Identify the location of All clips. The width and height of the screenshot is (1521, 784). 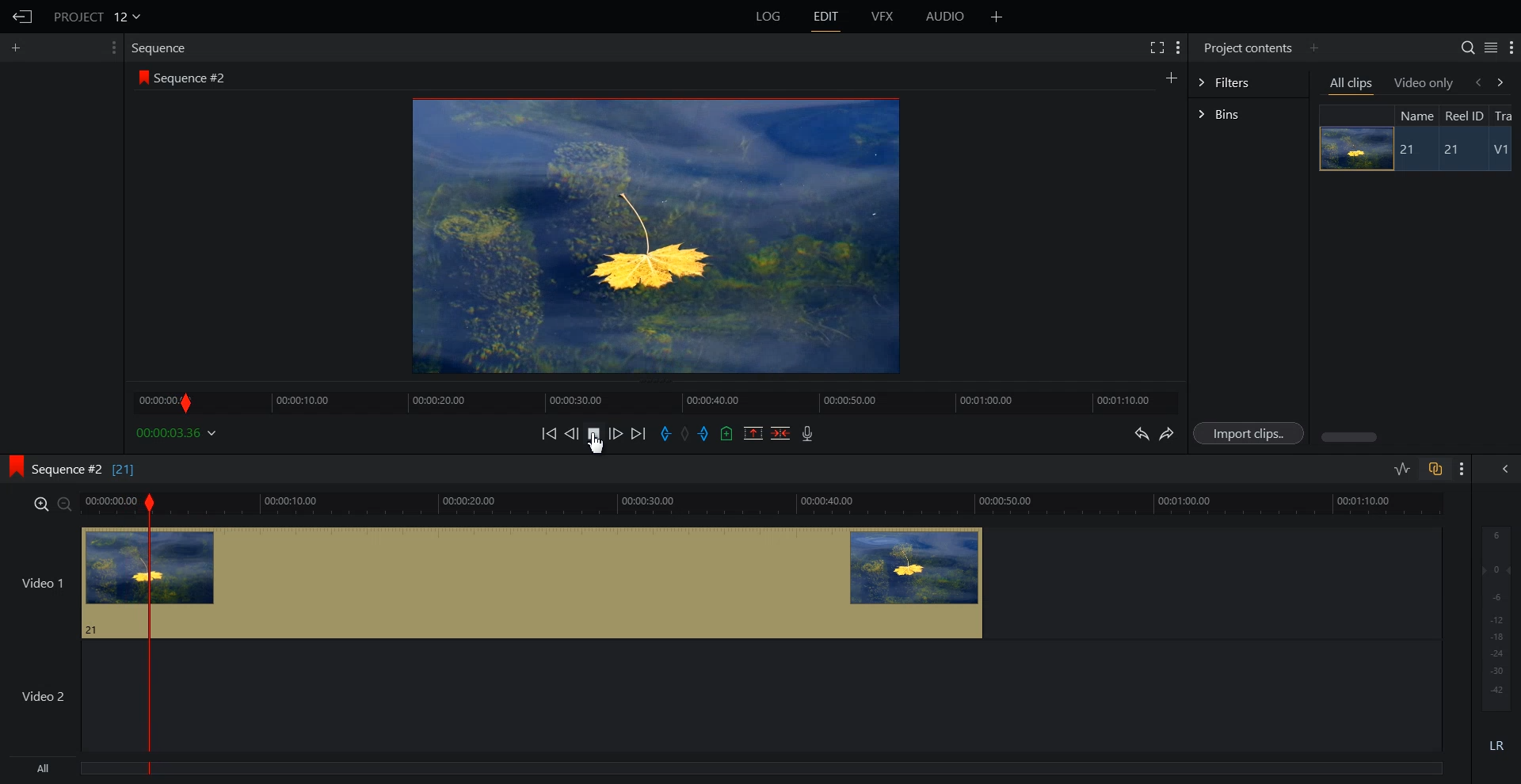
(1352, 85).